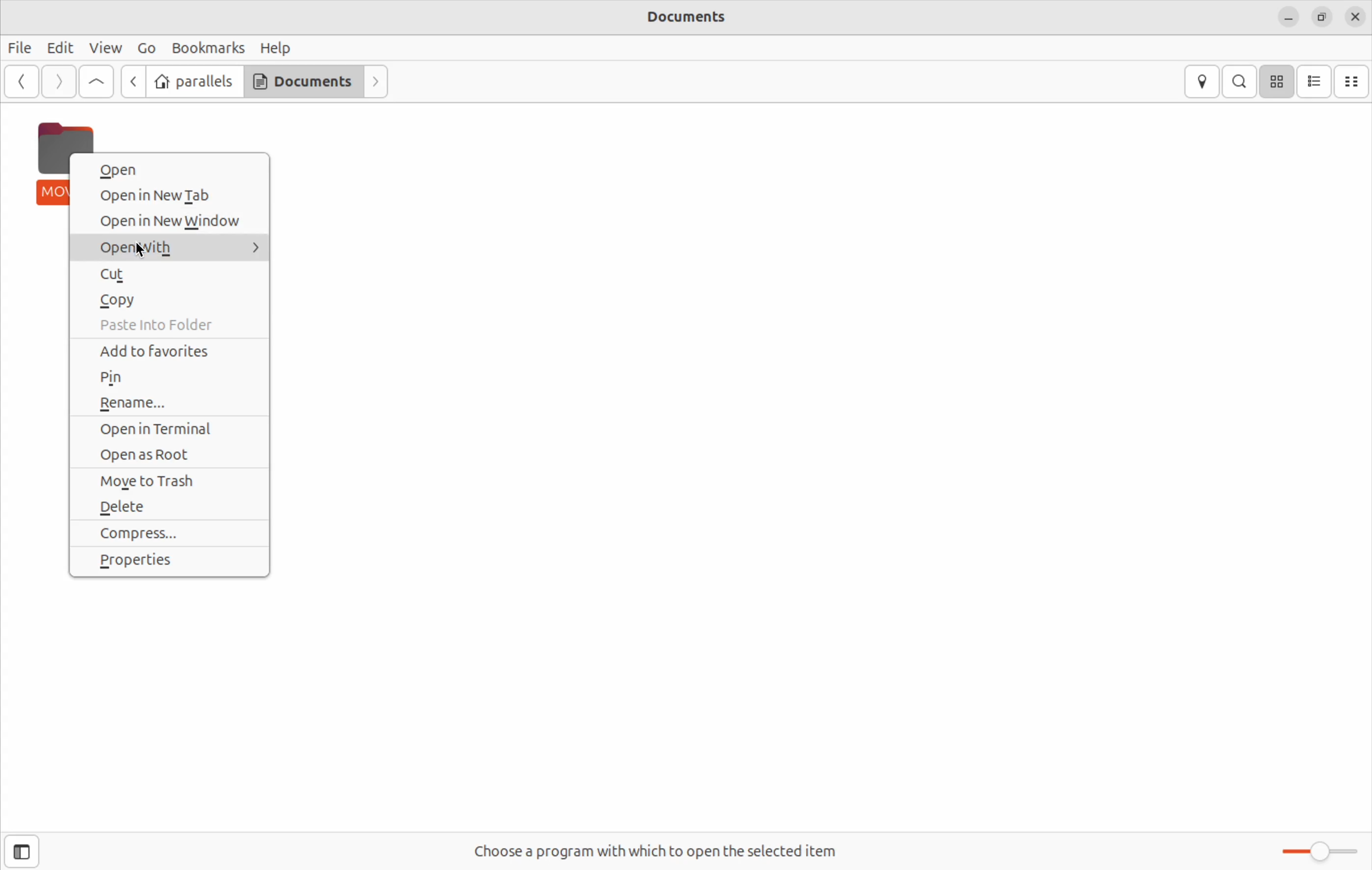 The image size is (1372, 870). What do you see at coordinates (168, 349) in the screenshot?
I see `add to favorites` at bounding box center [168, 349].